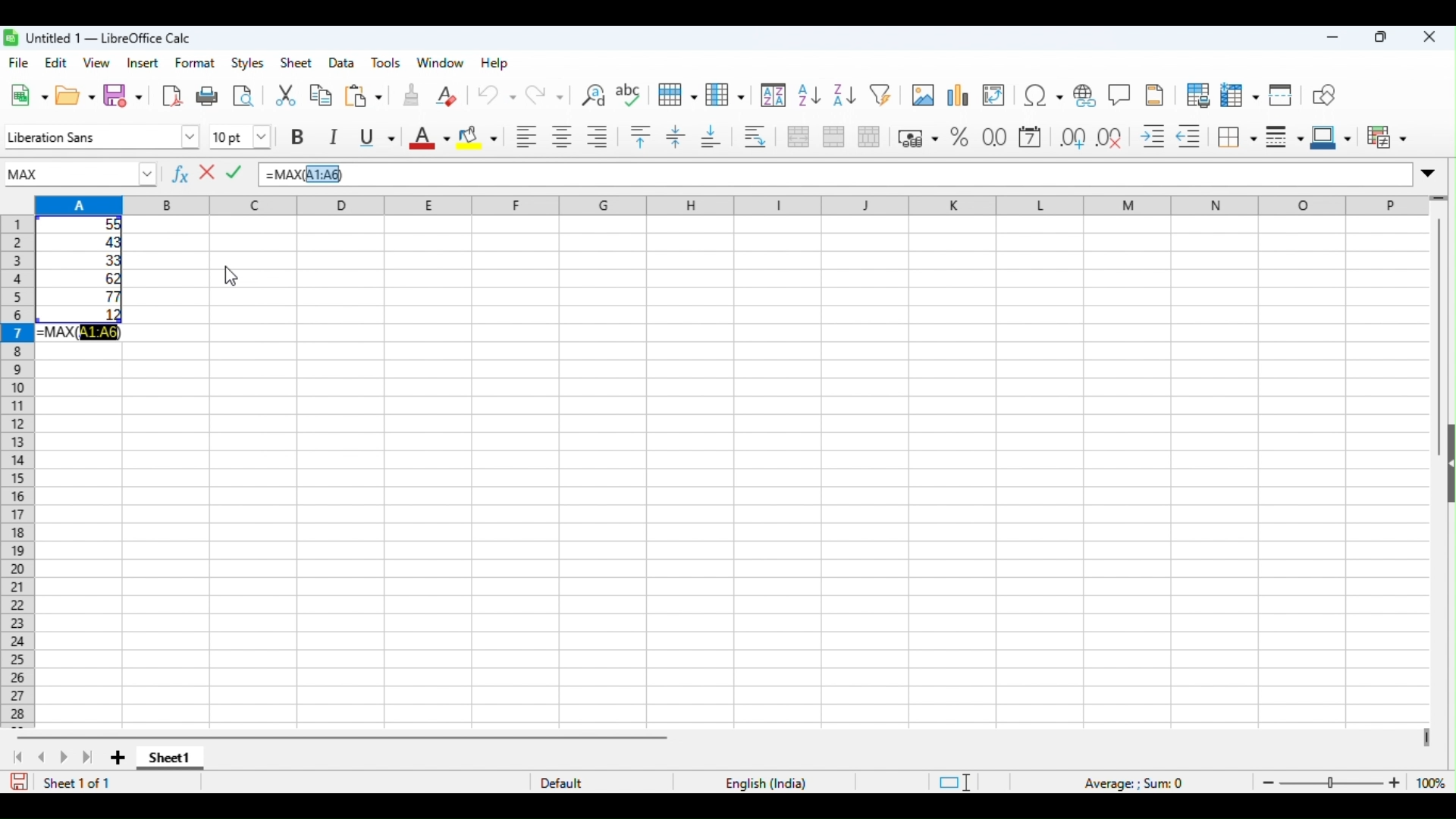  Describe the element at coordinates (196, 63) in the screenshot. I see `format` at that location.